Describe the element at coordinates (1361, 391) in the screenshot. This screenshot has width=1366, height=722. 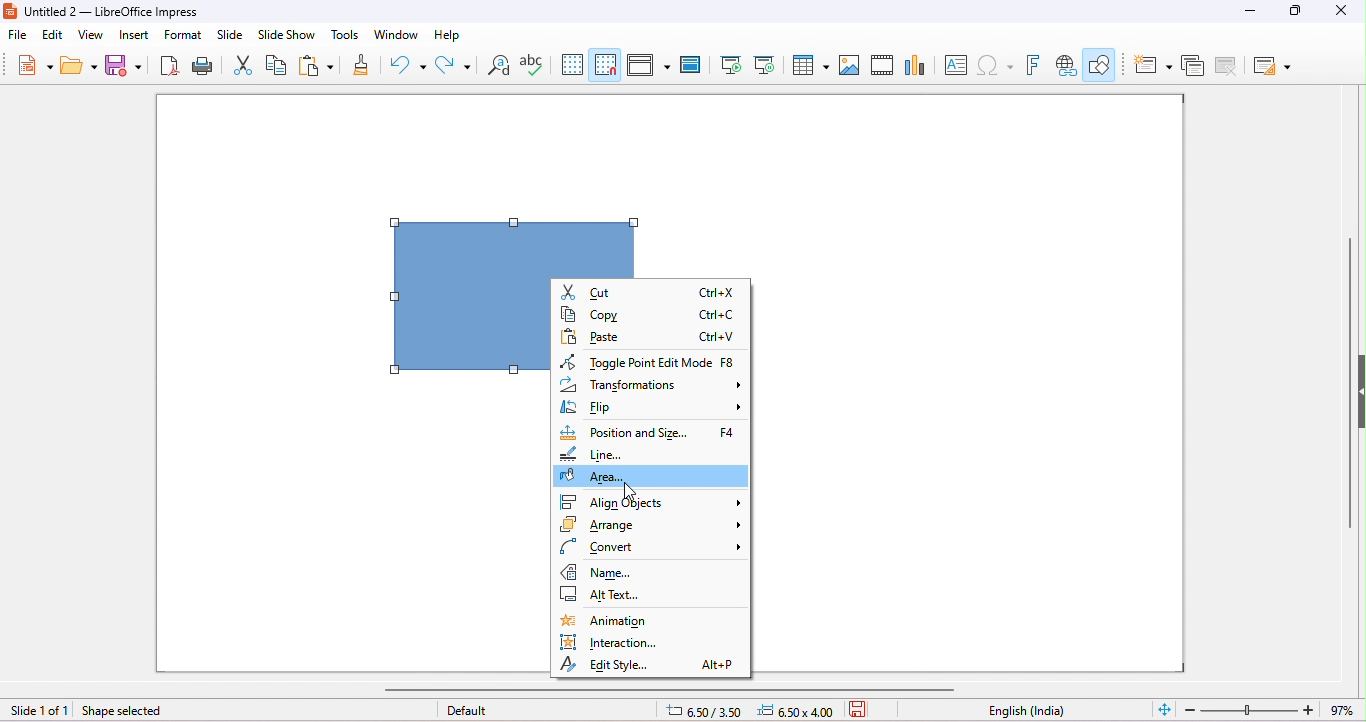
I see `Expand/Collapse sidebar` at that location.